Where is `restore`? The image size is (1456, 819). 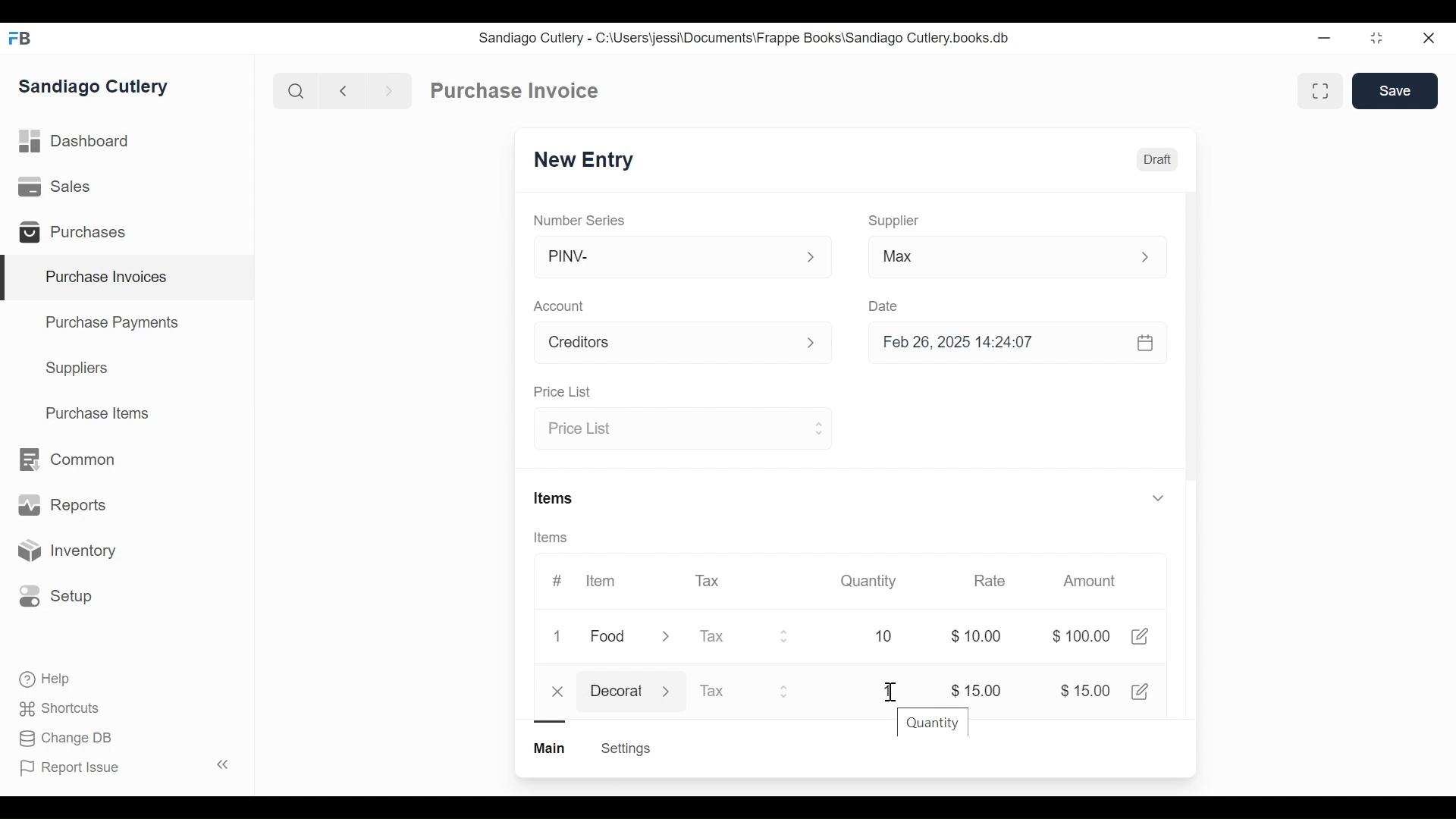
restore is located at coordinates (1375, 39).